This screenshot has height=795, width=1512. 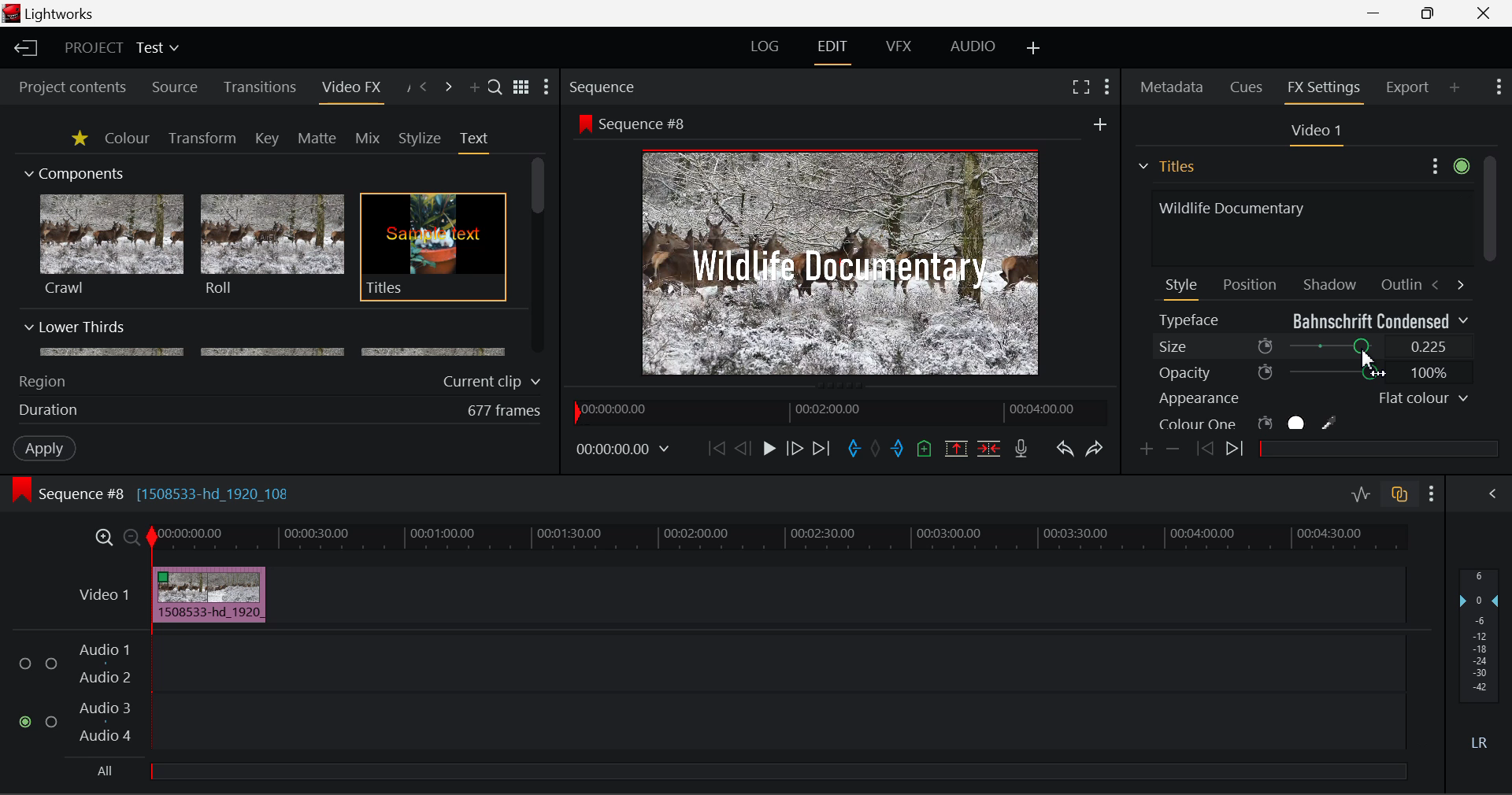 What do you see at coordinates (28, 664) in the screenshot?
I see `checkbox` at bounding box center [28, 664].